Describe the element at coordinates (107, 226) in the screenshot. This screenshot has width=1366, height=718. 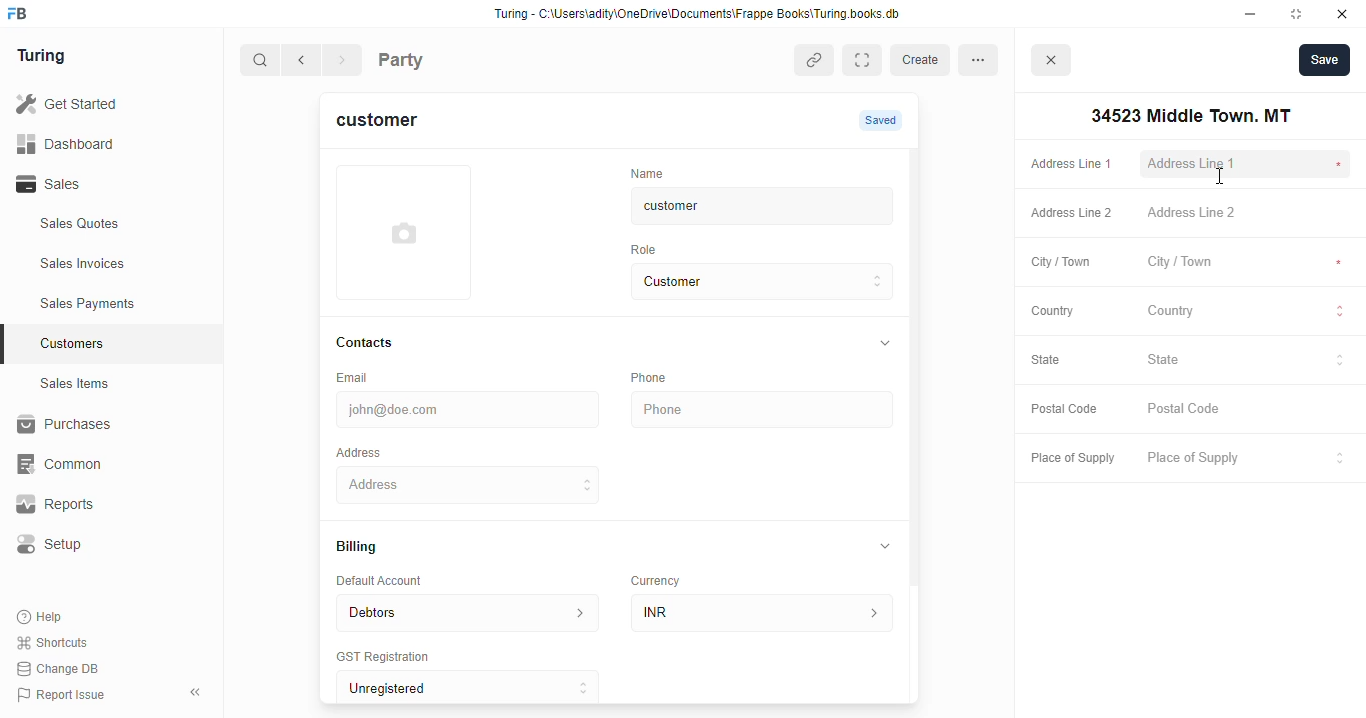
I see `Sales Quotes` at that location.